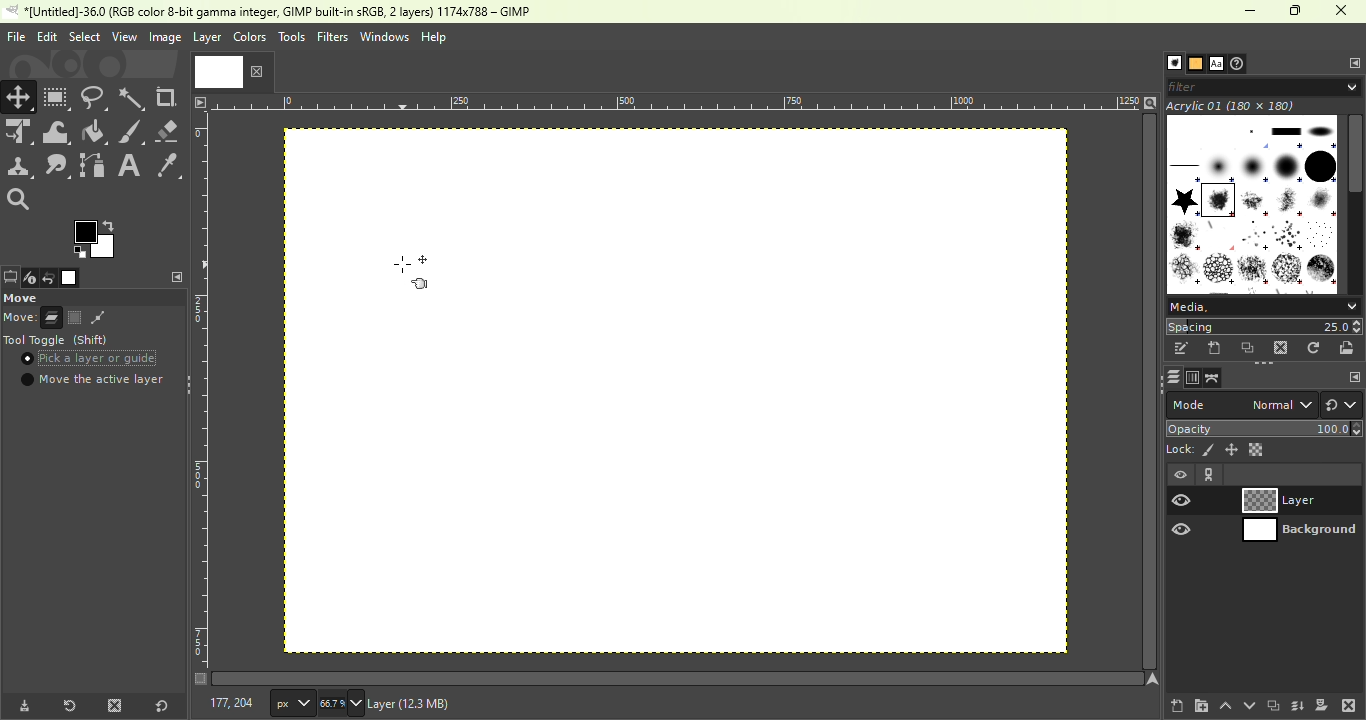  What do you see at coordinates (1342, 405) in the screenshot?
I see `Switch to another group of modes` at bounding box center [1342, 405].